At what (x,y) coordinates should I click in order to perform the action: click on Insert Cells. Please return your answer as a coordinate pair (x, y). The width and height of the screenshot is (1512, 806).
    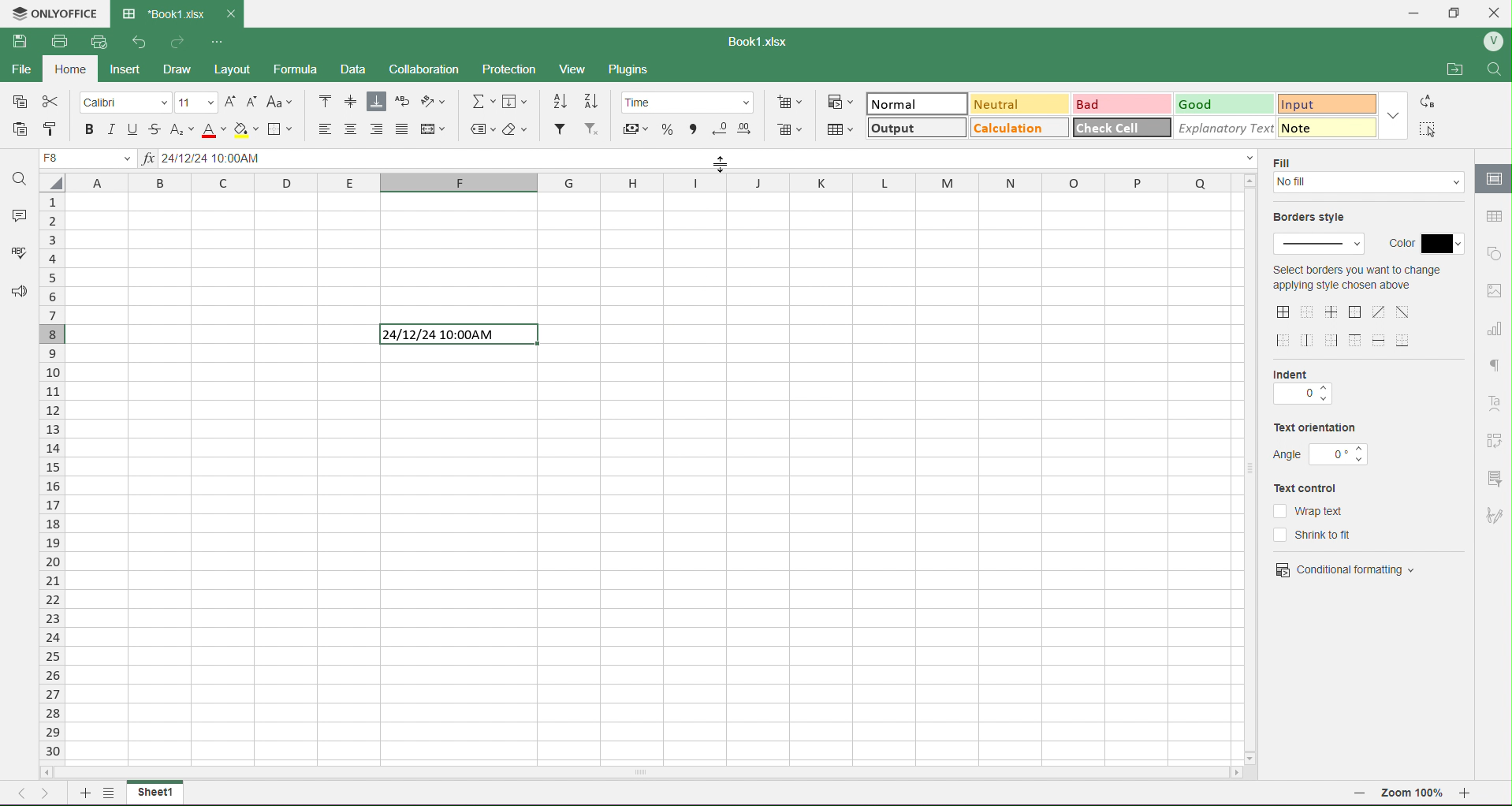
    Looking at the image, I should click on (792, 101).